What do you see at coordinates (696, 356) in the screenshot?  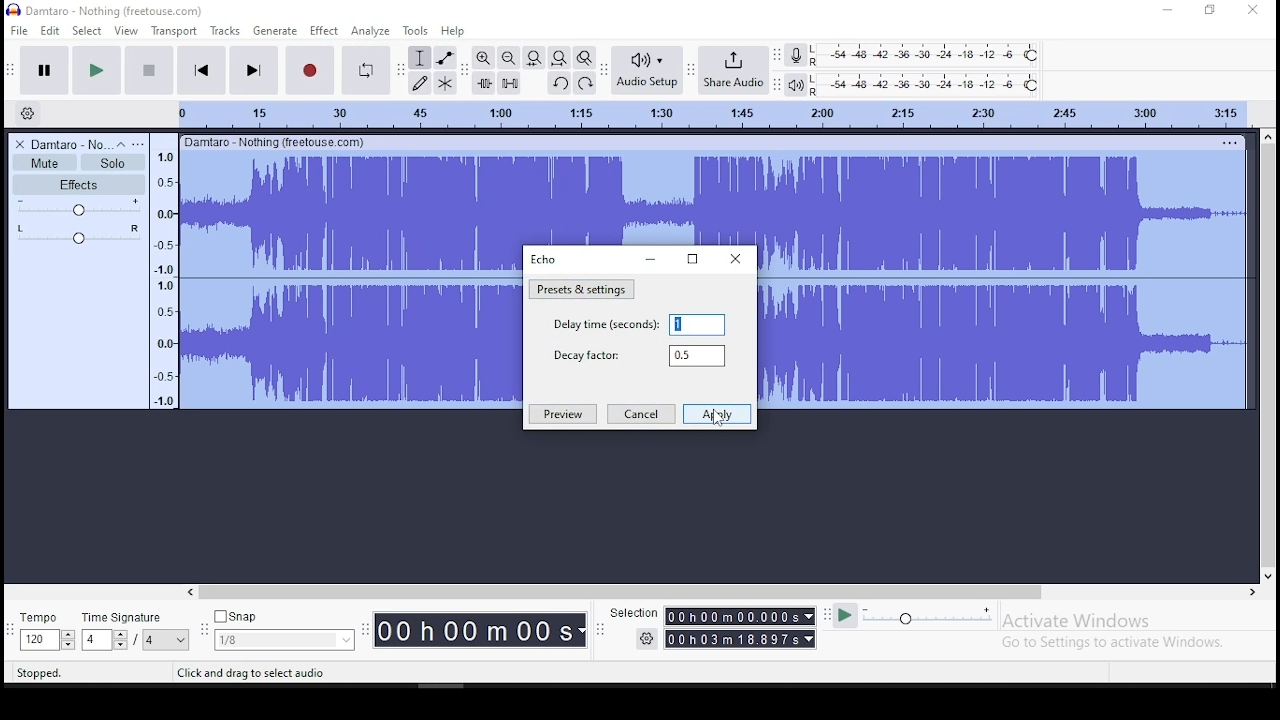 I see `0.5` at bounding box center [696, 356].